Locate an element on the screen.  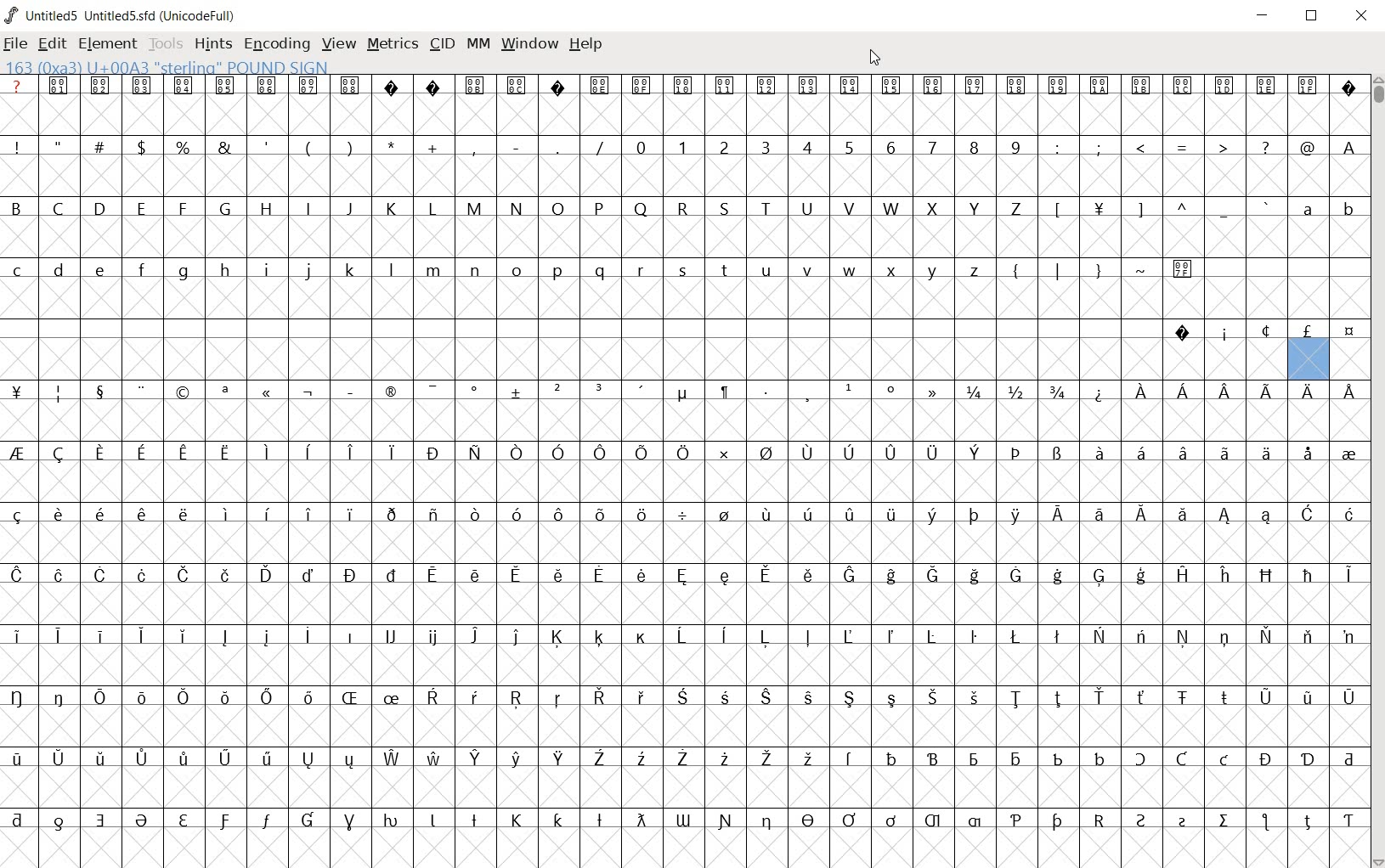
3/4 is located at coordinates (1055, 392).